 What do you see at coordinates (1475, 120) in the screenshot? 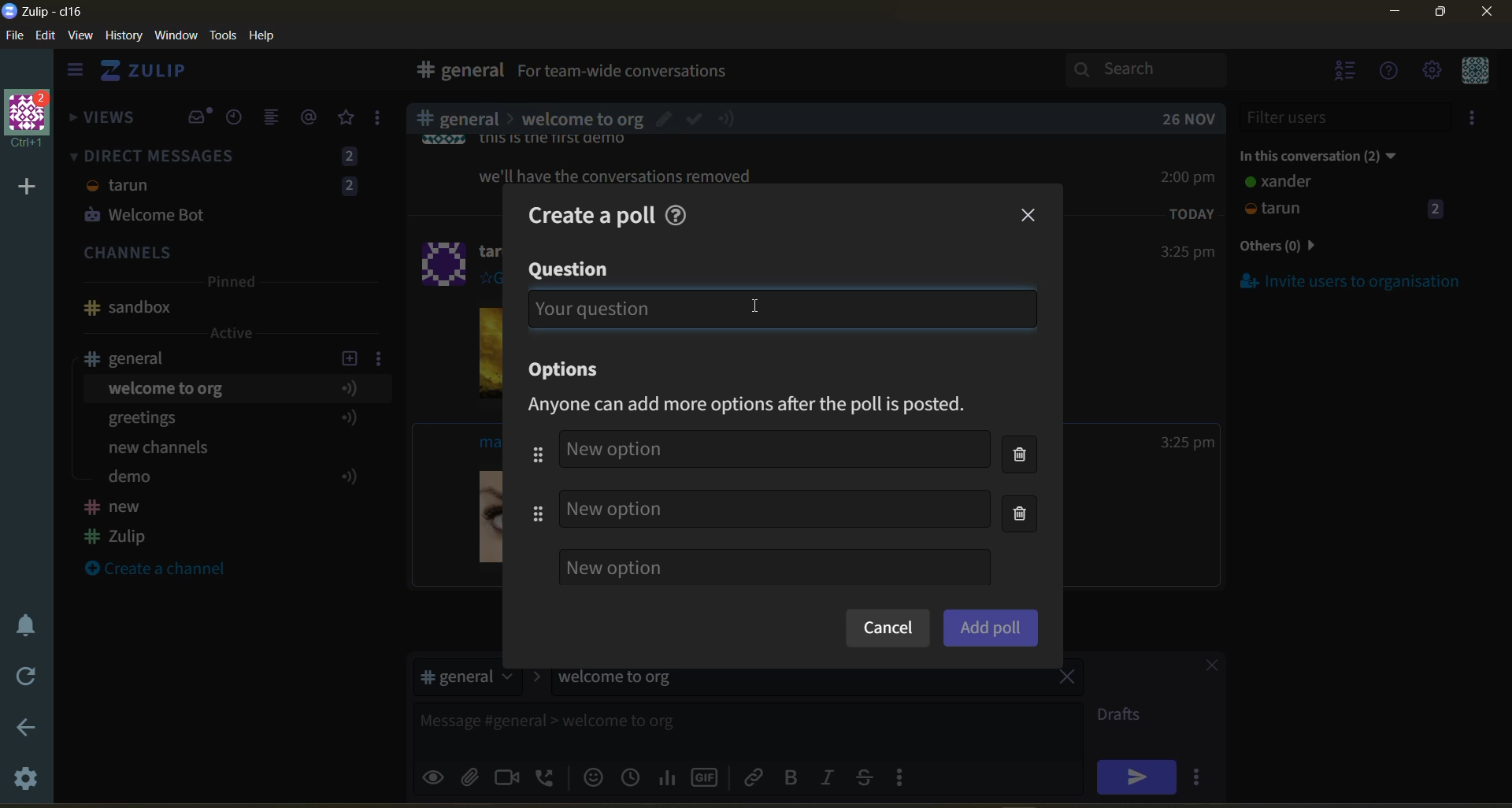
I see `invite users to organisation` at bounding box center [1475, 120].